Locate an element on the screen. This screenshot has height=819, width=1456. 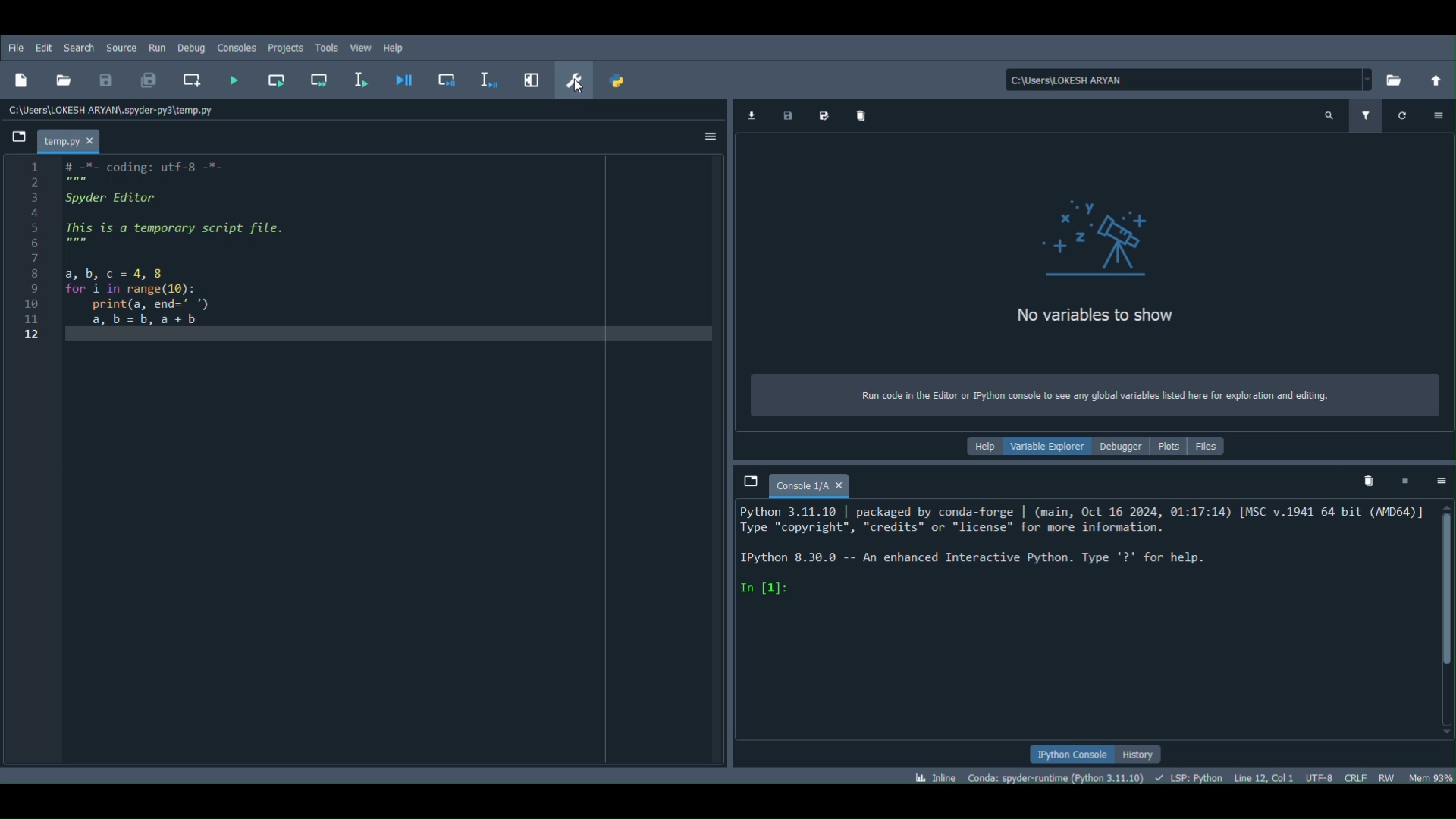
Open file (Ctrl + O) is located at coordinates (64, 80).